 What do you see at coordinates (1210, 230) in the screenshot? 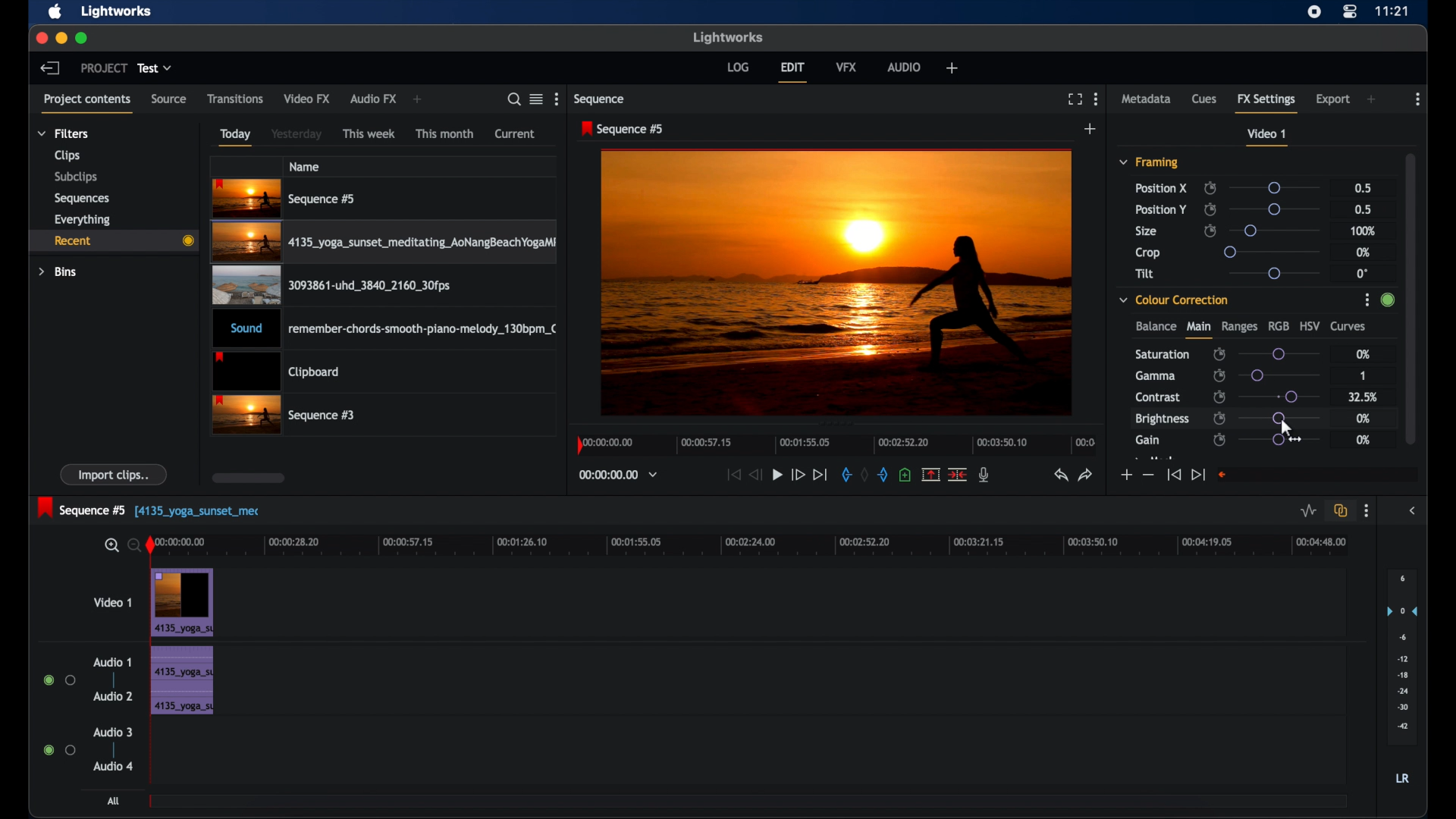
I see `enable/disable keyframes` at bounding box center [1210, 230].